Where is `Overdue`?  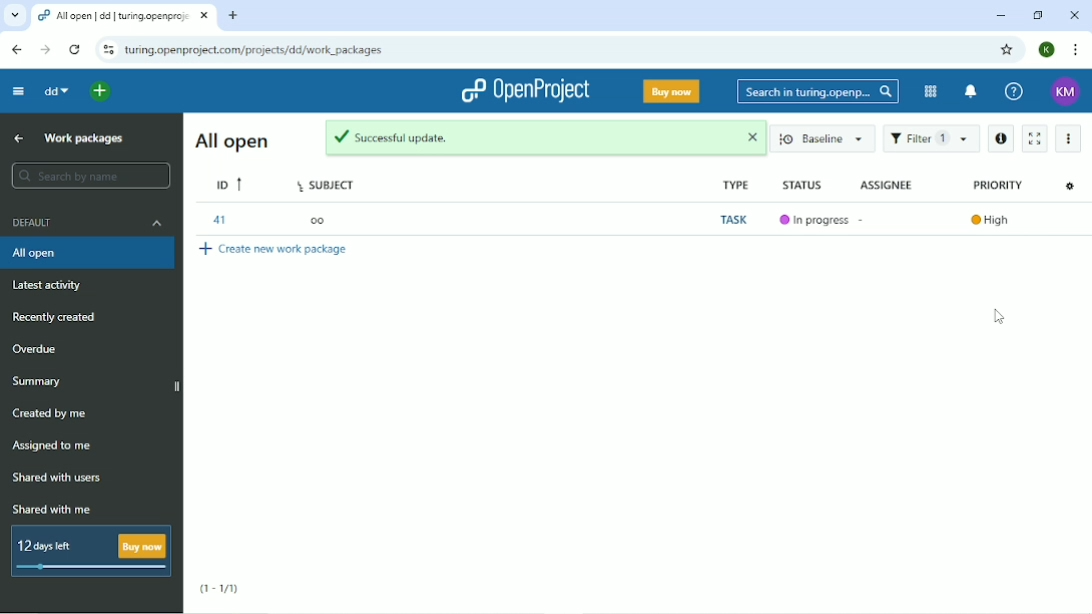
Overdue is located at coordinates (35, 350).